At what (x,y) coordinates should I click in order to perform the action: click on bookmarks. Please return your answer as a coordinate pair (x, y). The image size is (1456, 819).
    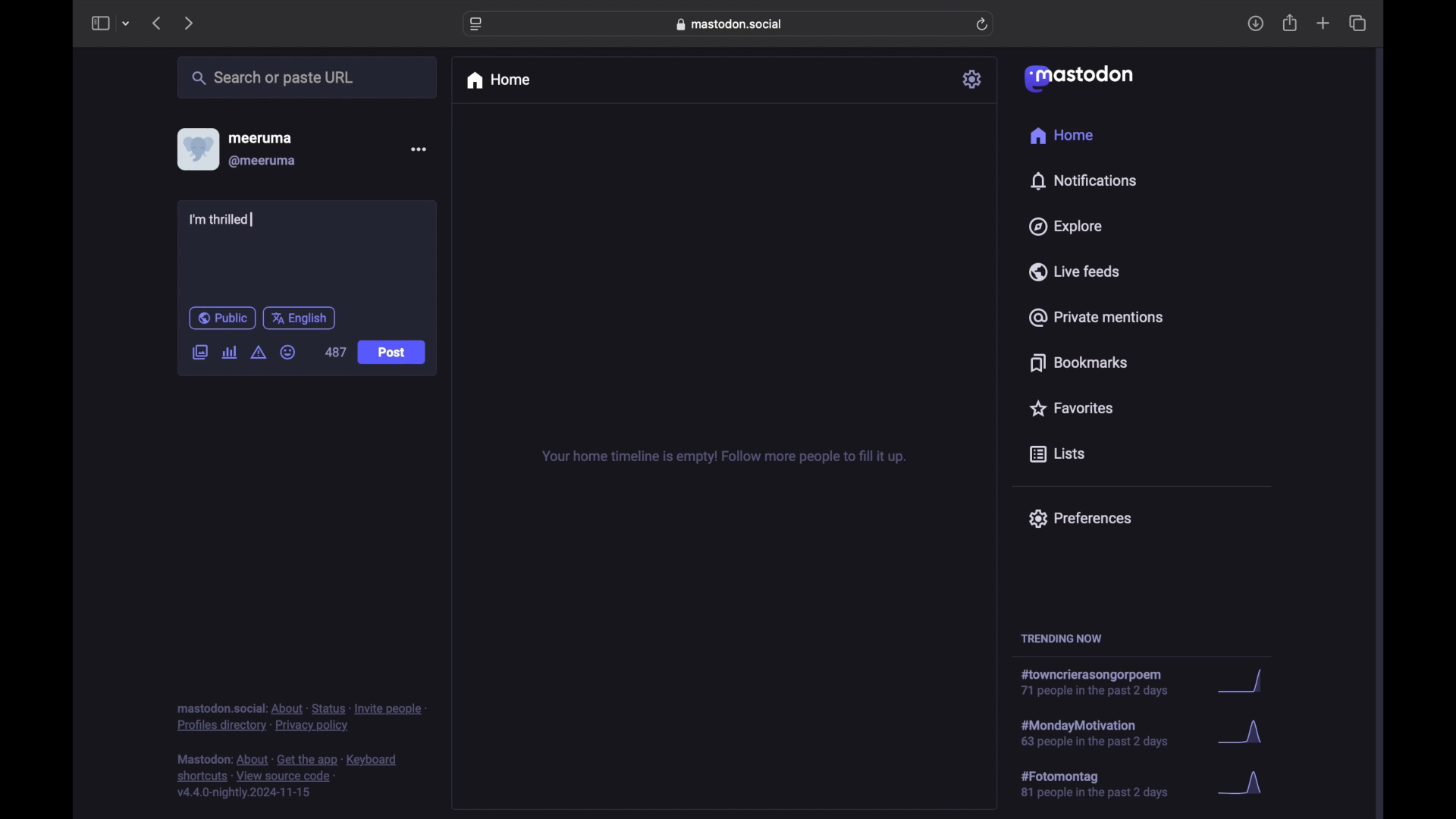
    Looking at the image, I should click on (1081, 362).